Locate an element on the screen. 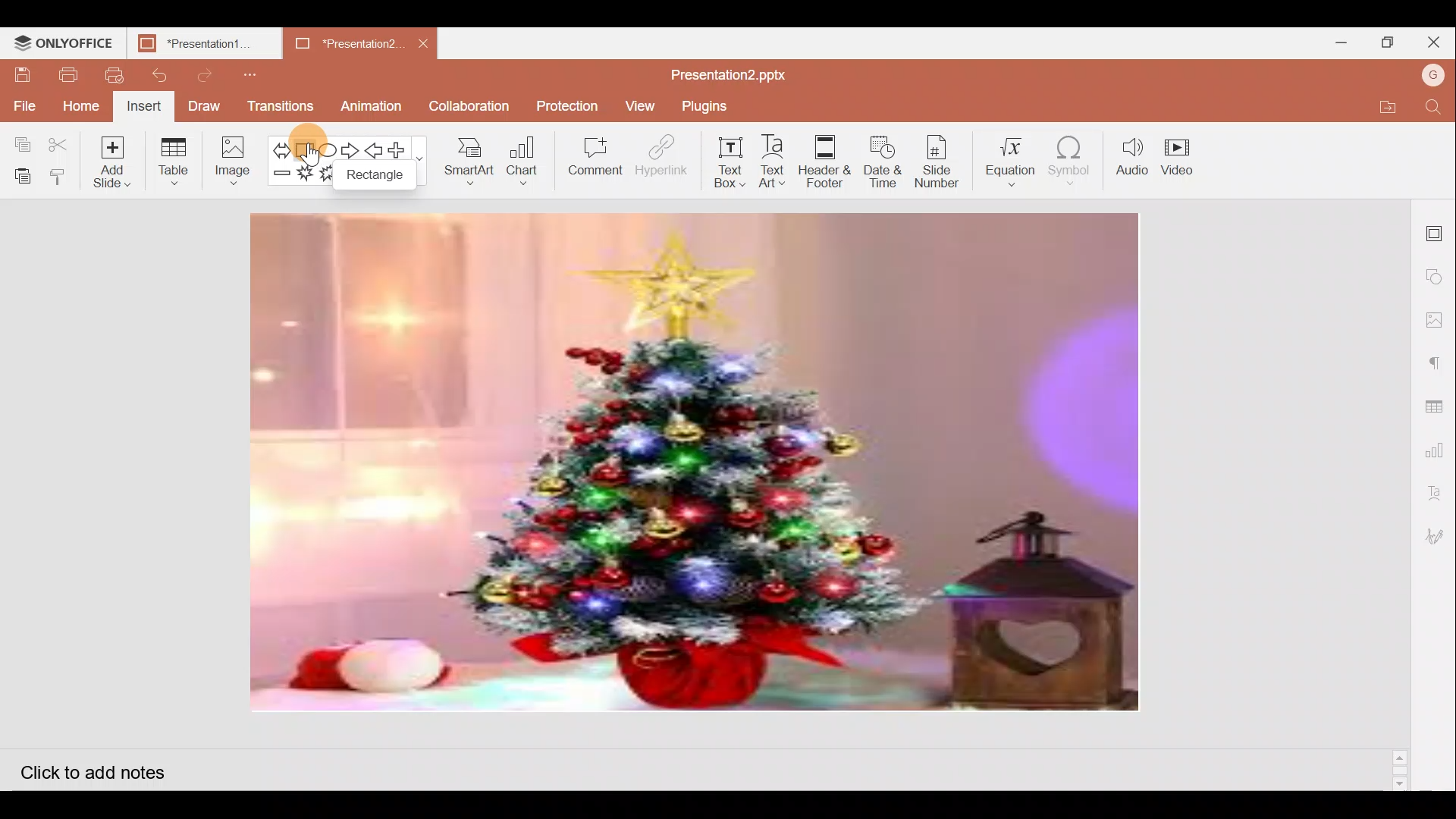  Text box is located at coordinates (722, 165).